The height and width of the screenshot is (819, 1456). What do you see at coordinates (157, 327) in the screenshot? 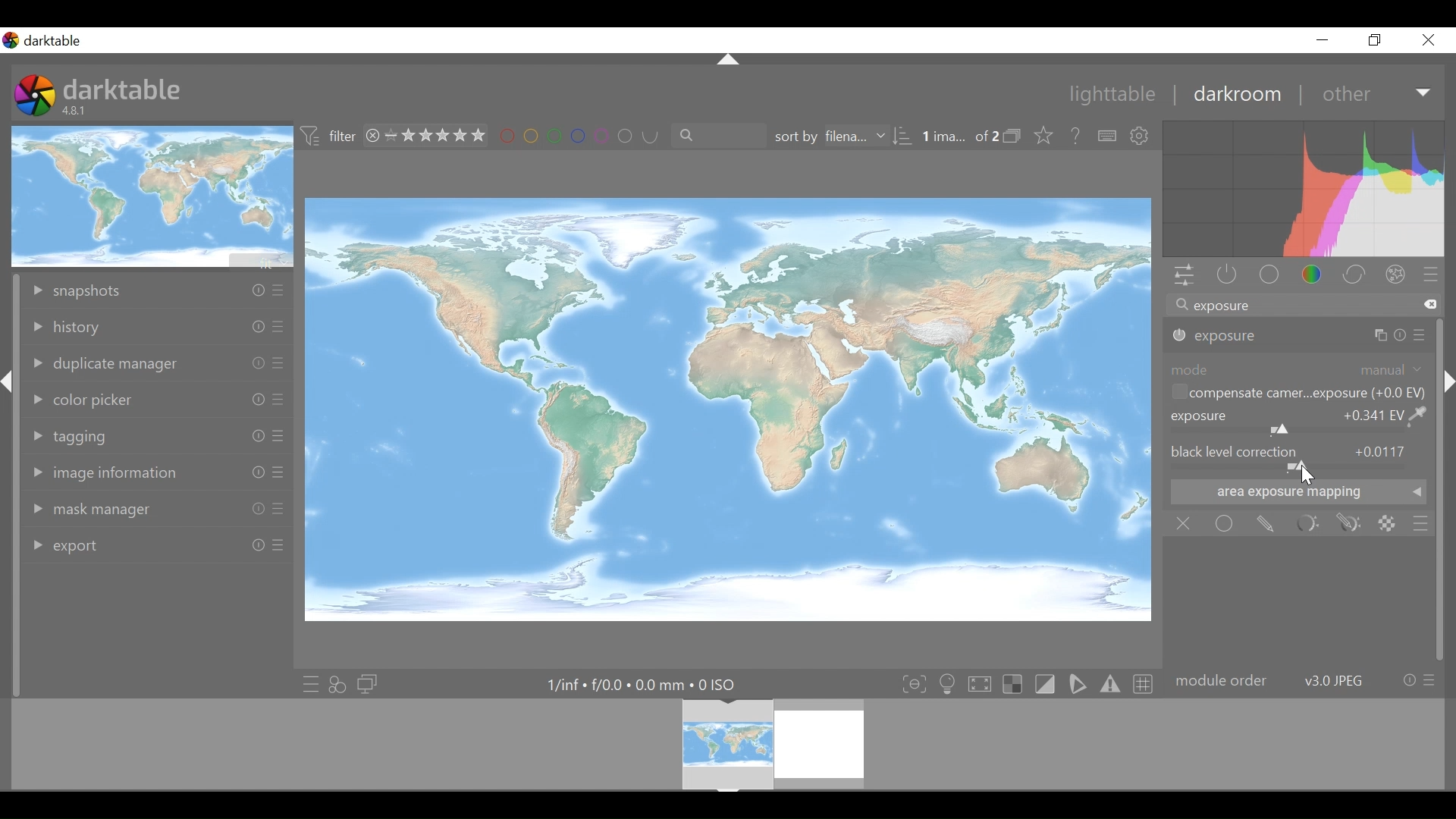
I see `History` at bounding box center [157, 327].